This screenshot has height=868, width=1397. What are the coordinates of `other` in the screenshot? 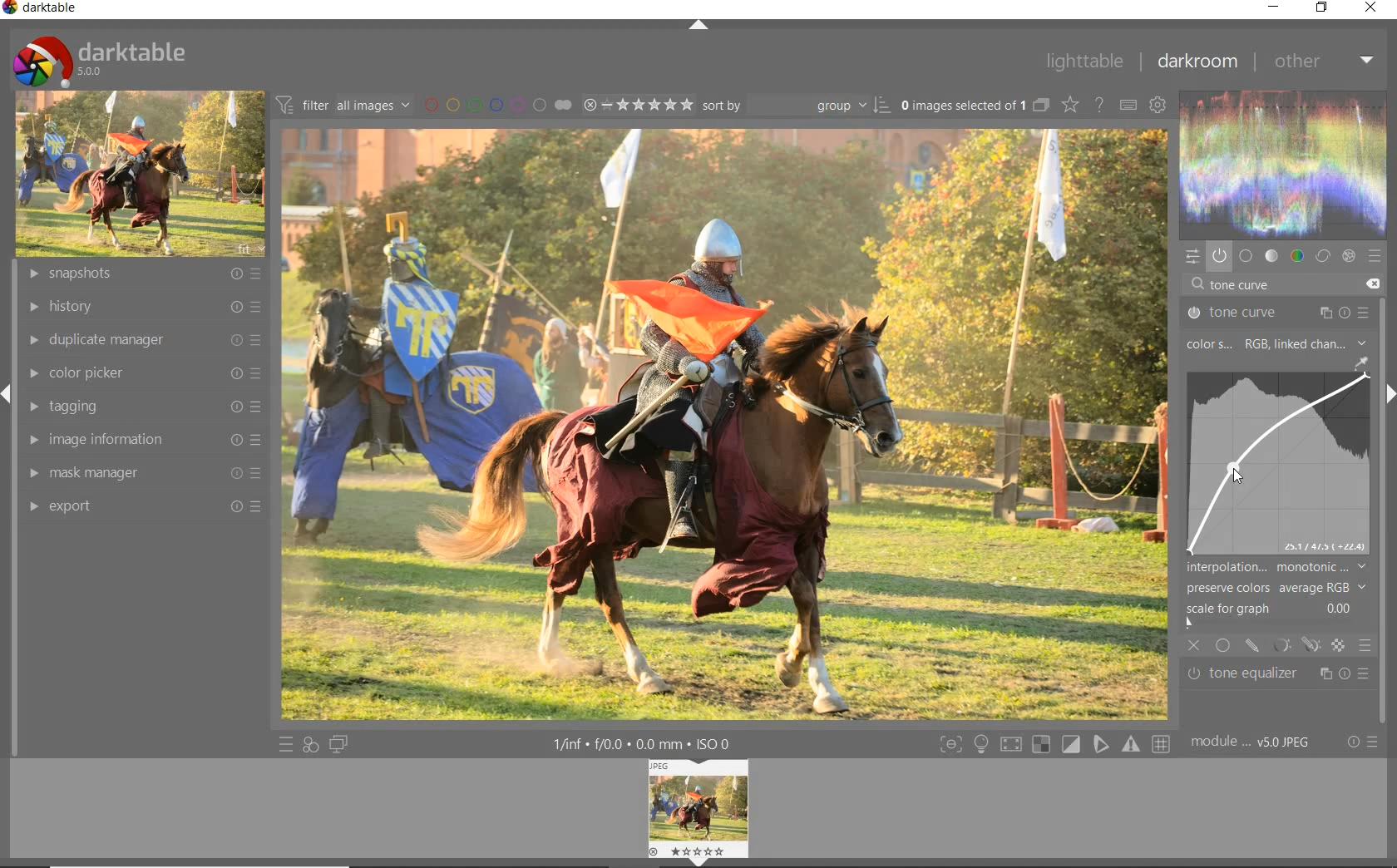 It's located at (1323, 61).